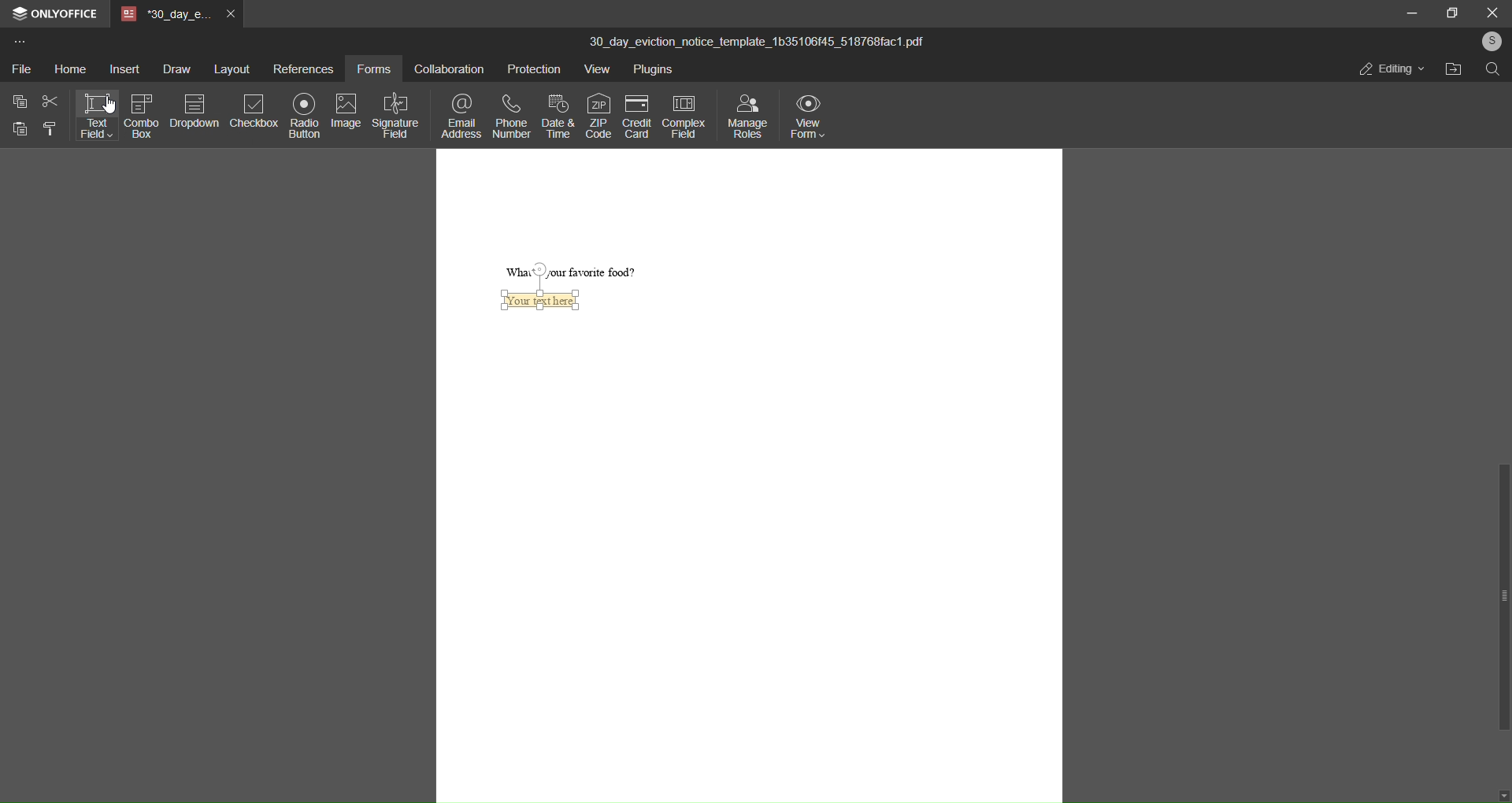 Image resolution: width=1512 pixels, height=803 pixels. I want to click on paste, so click(18, 128).